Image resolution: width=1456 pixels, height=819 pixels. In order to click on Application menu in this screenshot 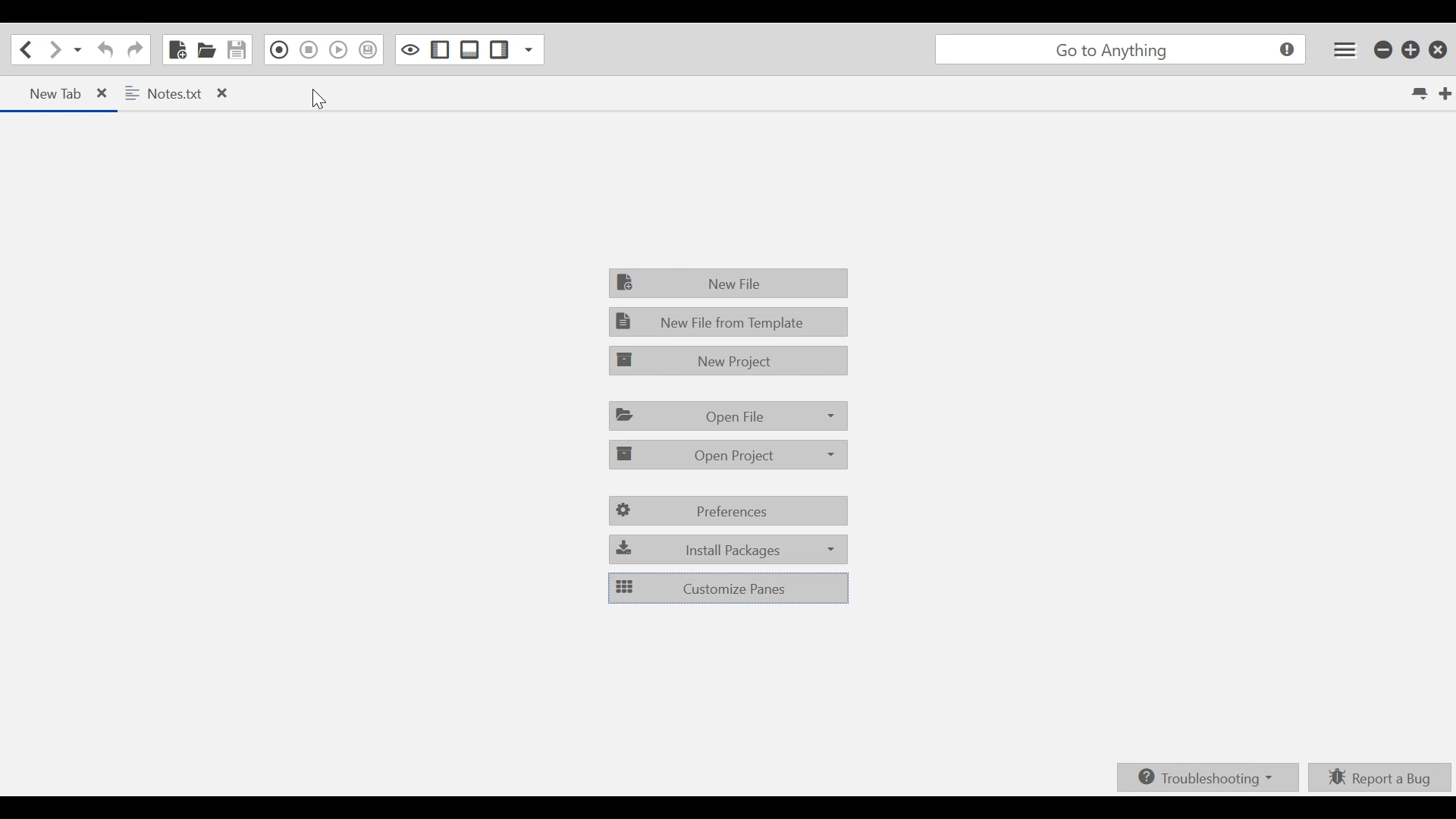, I will do `click(1343, 47)`.